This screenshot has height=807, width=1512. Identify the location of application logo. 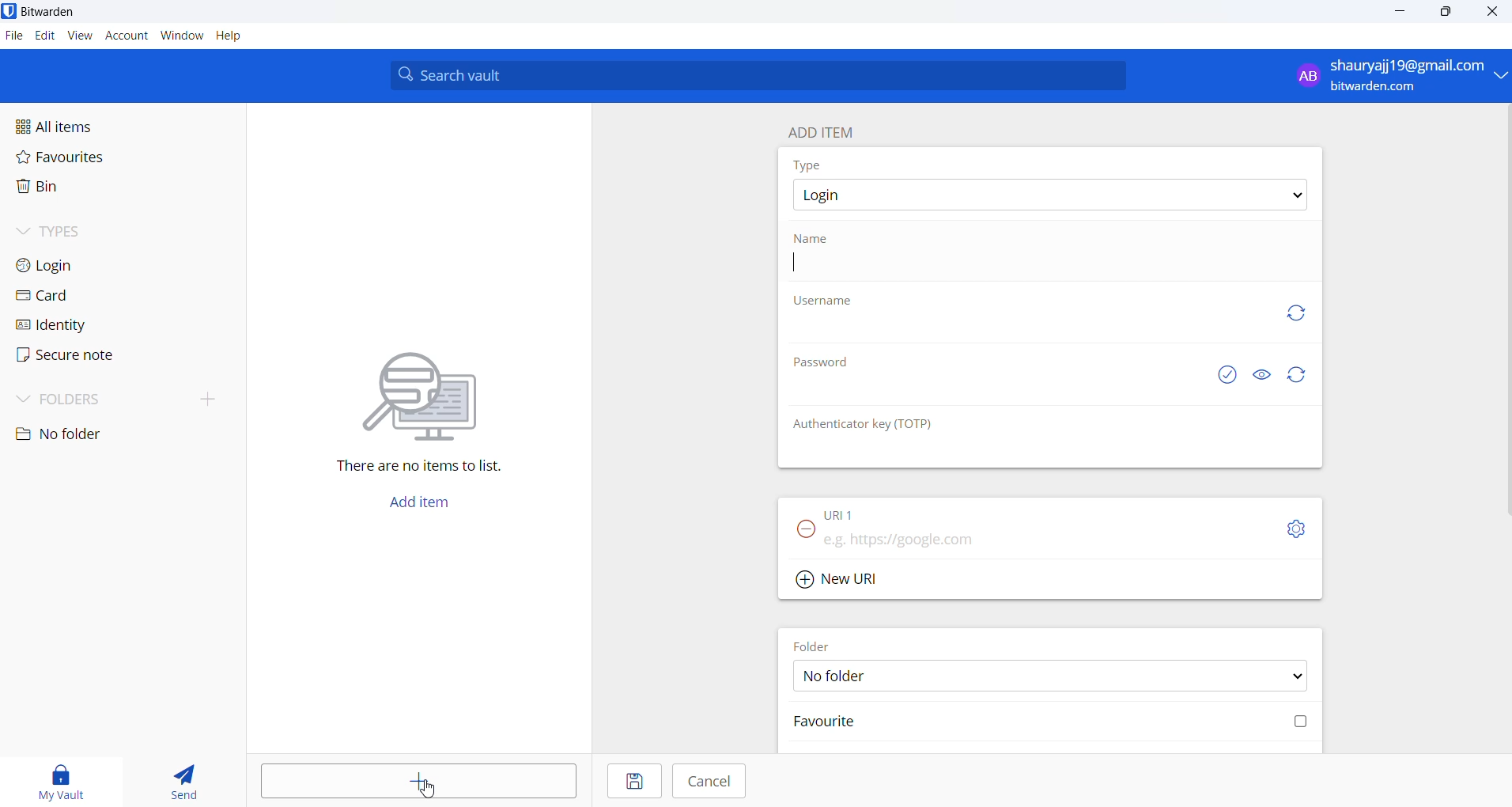
(9, 10).